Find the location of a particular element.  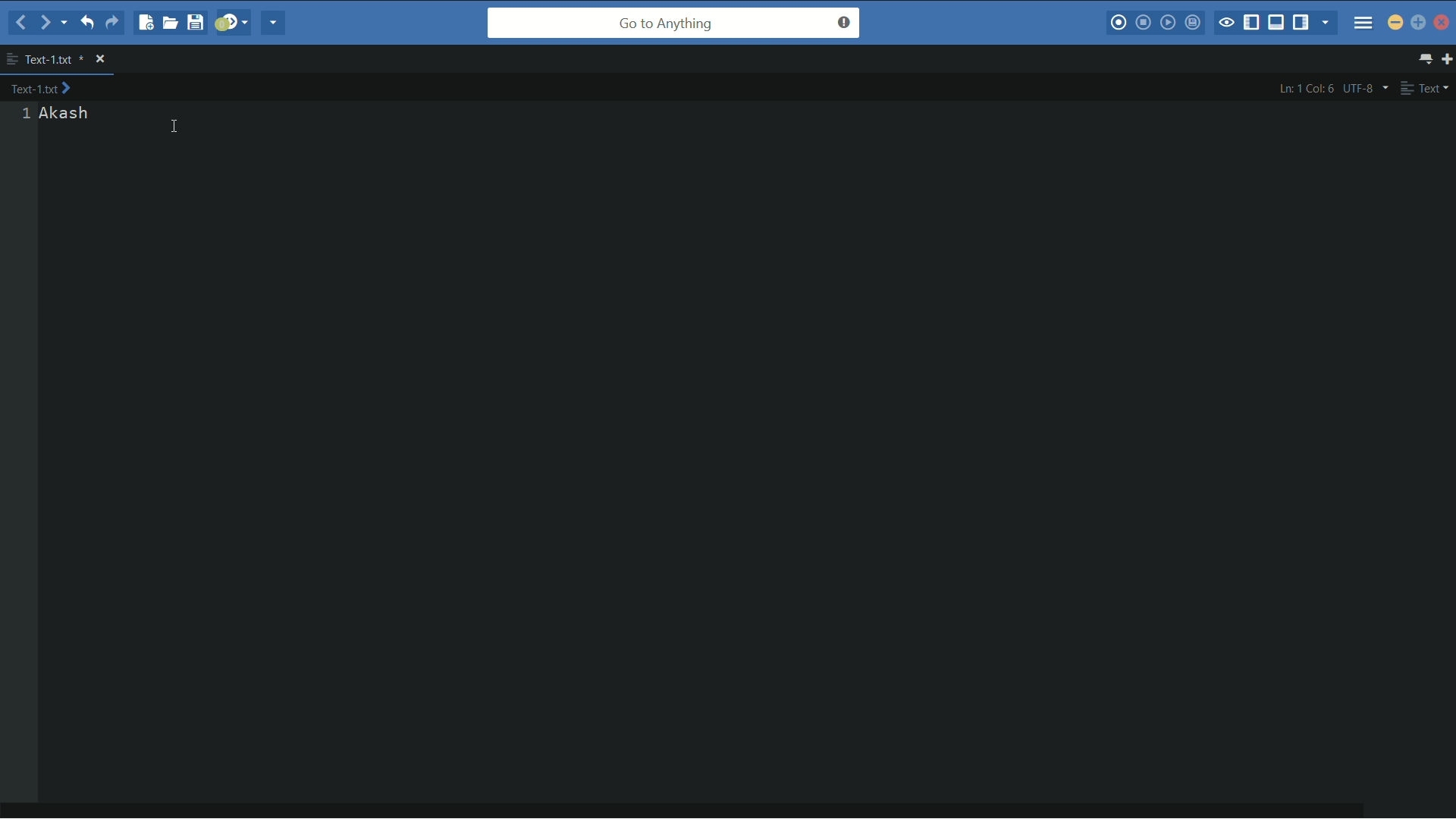

play the last macro is located at coordinates (1167, 21).